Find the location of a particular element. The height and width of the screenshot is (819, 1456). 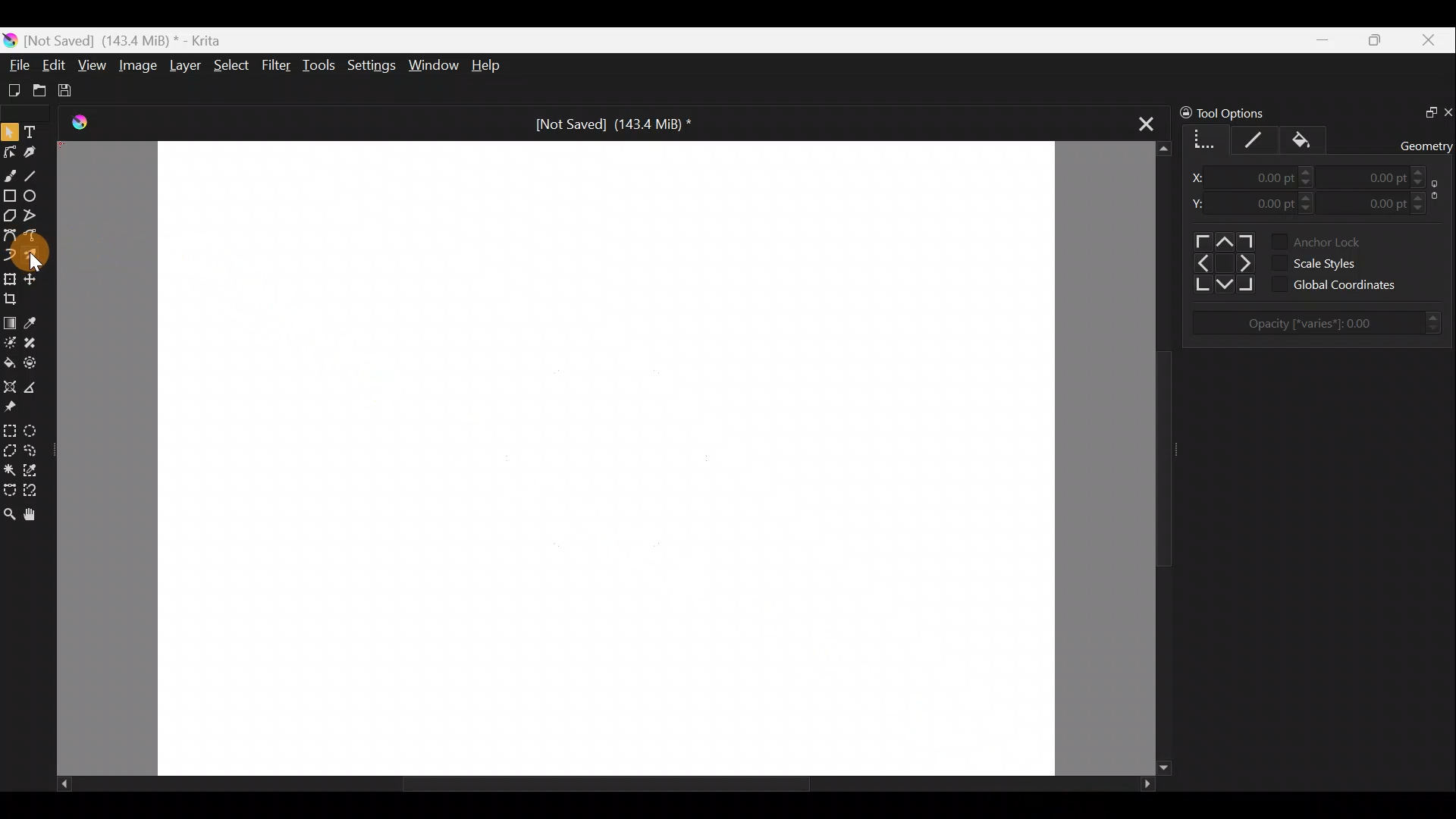

Not Saved] (143.4 MiB) * is located at coordinates (129, 39).